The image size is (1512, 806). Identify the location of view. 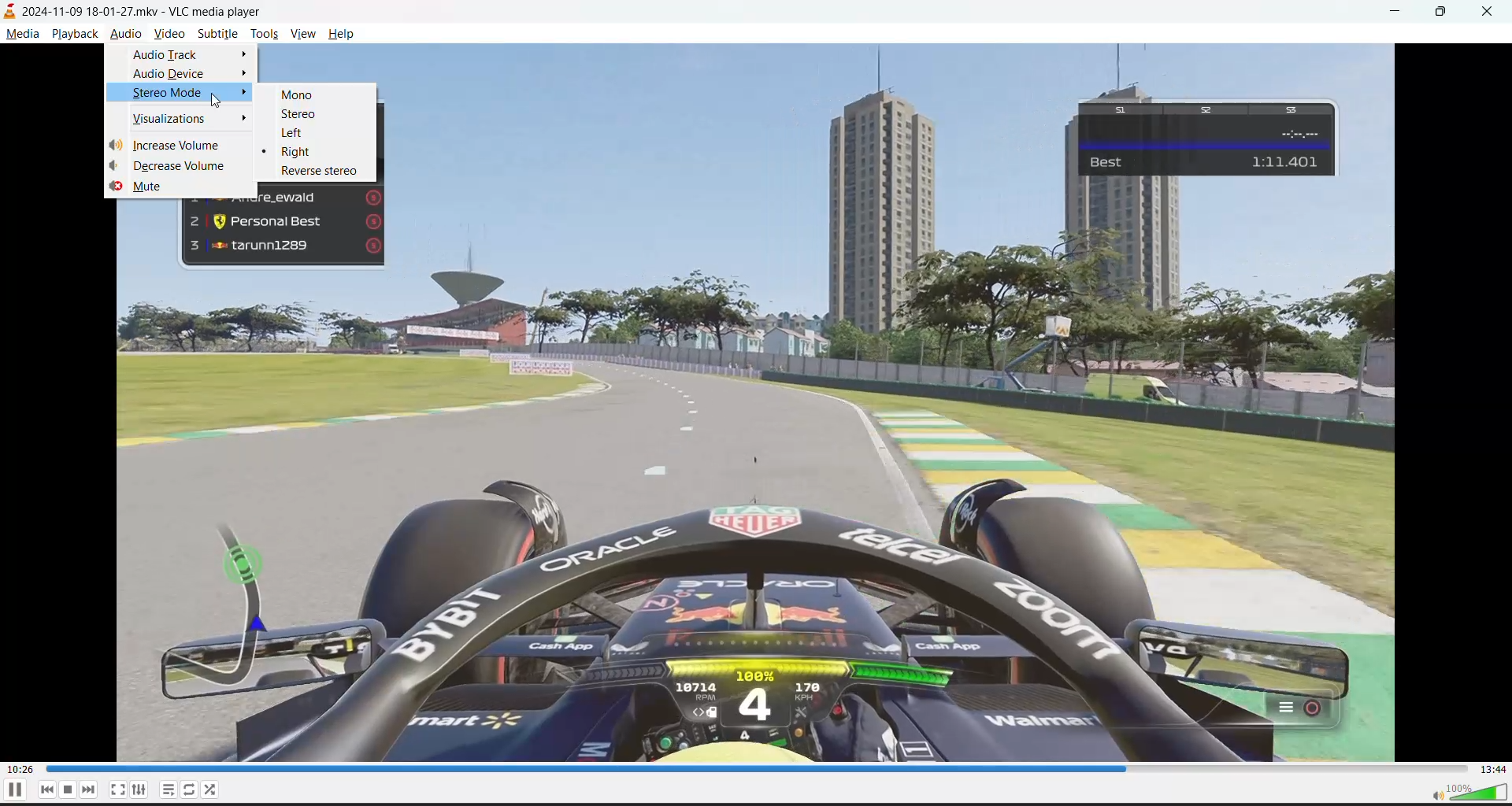
(302, 35).